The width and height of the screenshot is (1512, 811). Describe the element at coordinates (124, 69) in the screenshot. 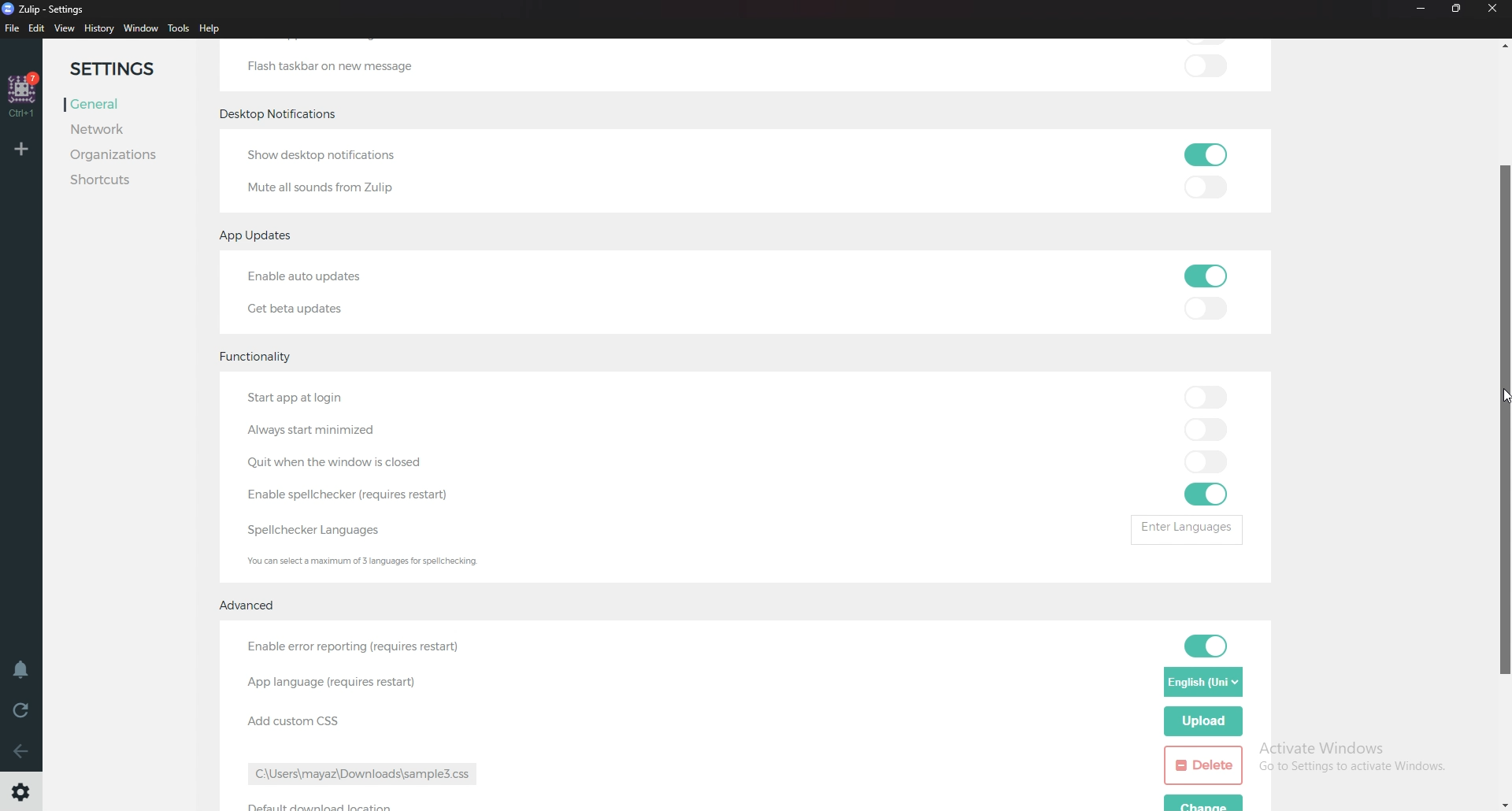

I see `Settings` at that location.